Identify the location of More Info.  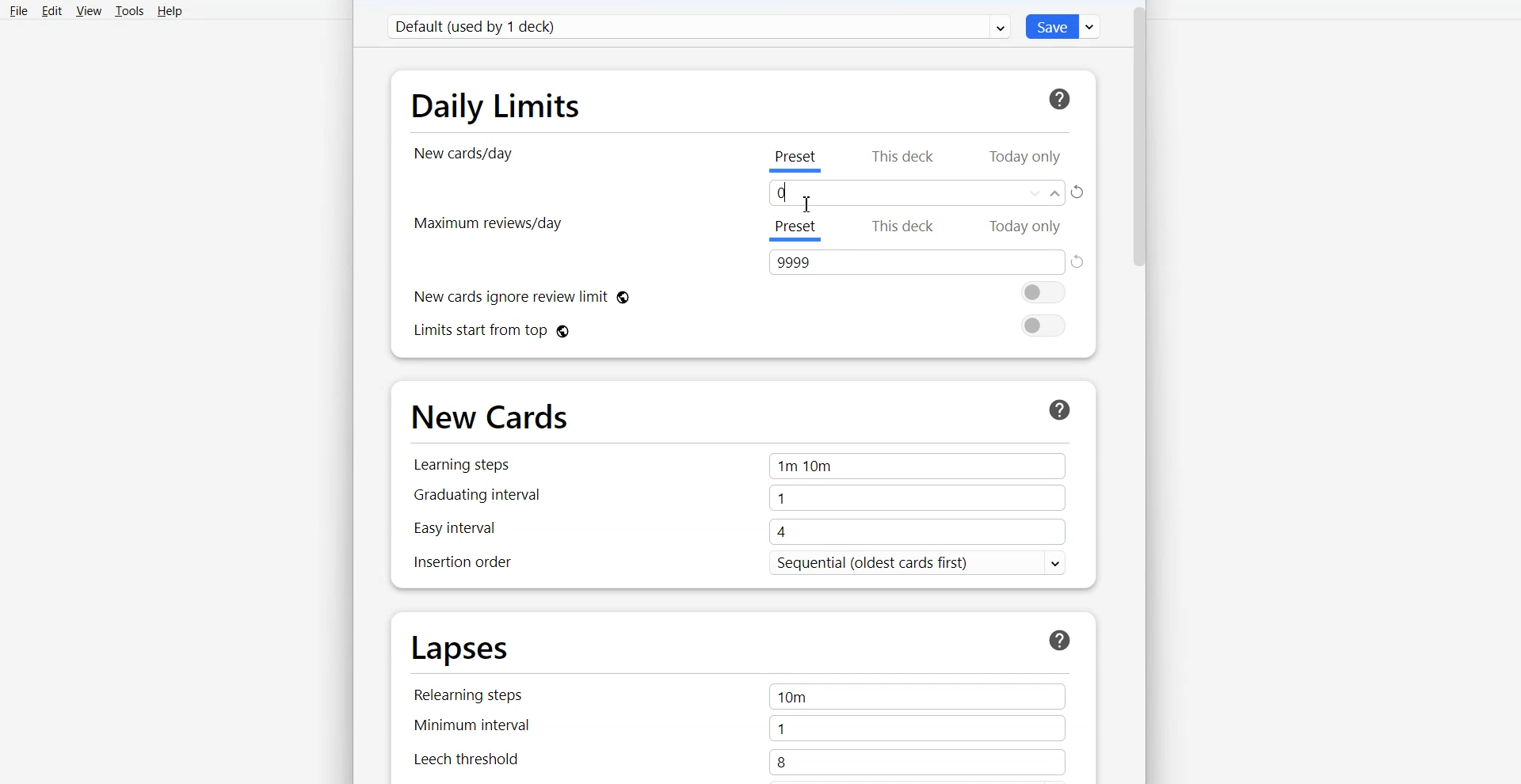
(1059, 409).